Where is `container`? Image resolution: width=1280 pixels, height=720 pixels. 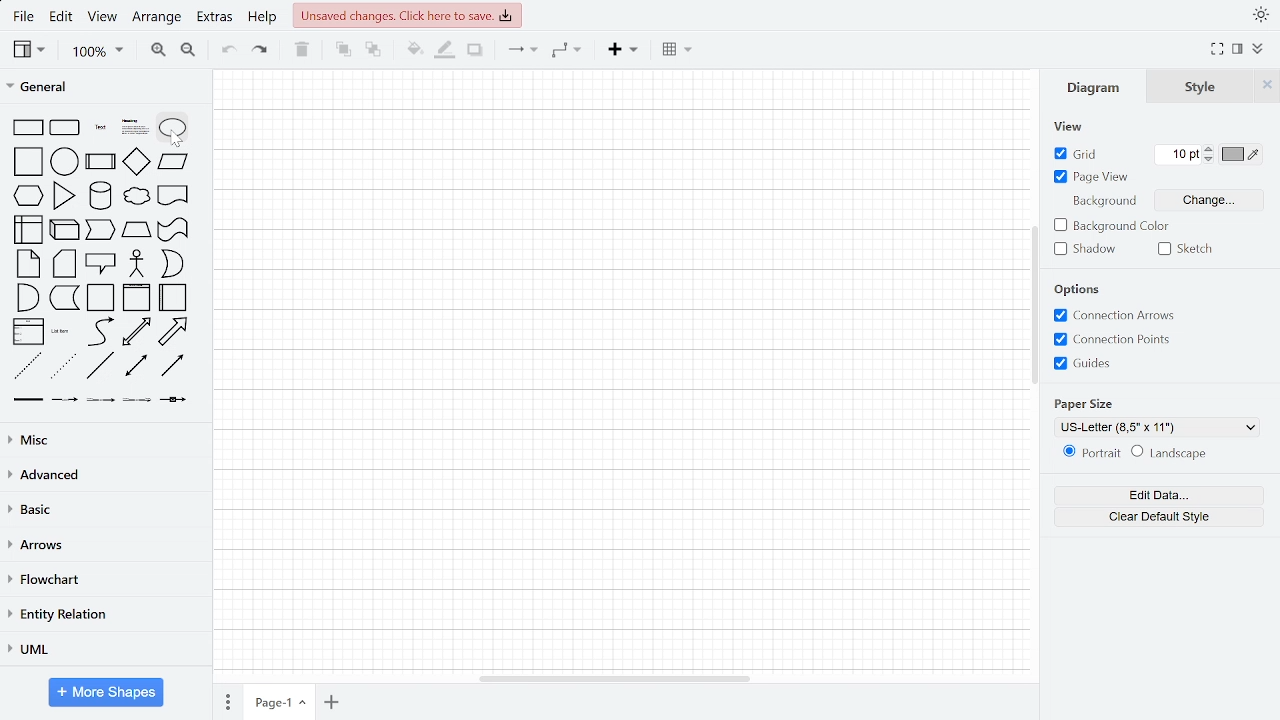 container is located at coordinates (101, 298).